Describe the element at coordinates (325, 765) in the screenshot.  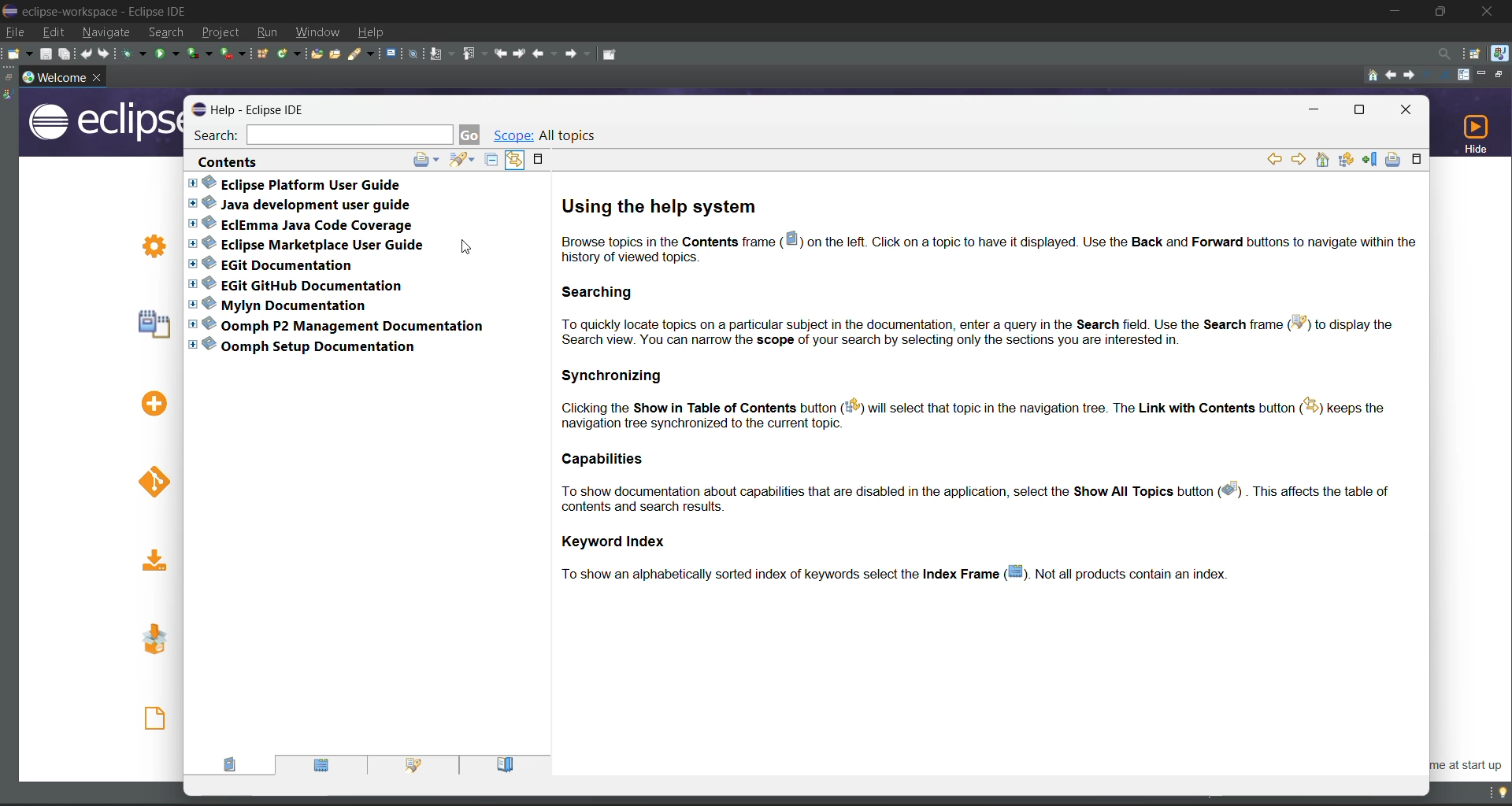
I see `index` at that location.